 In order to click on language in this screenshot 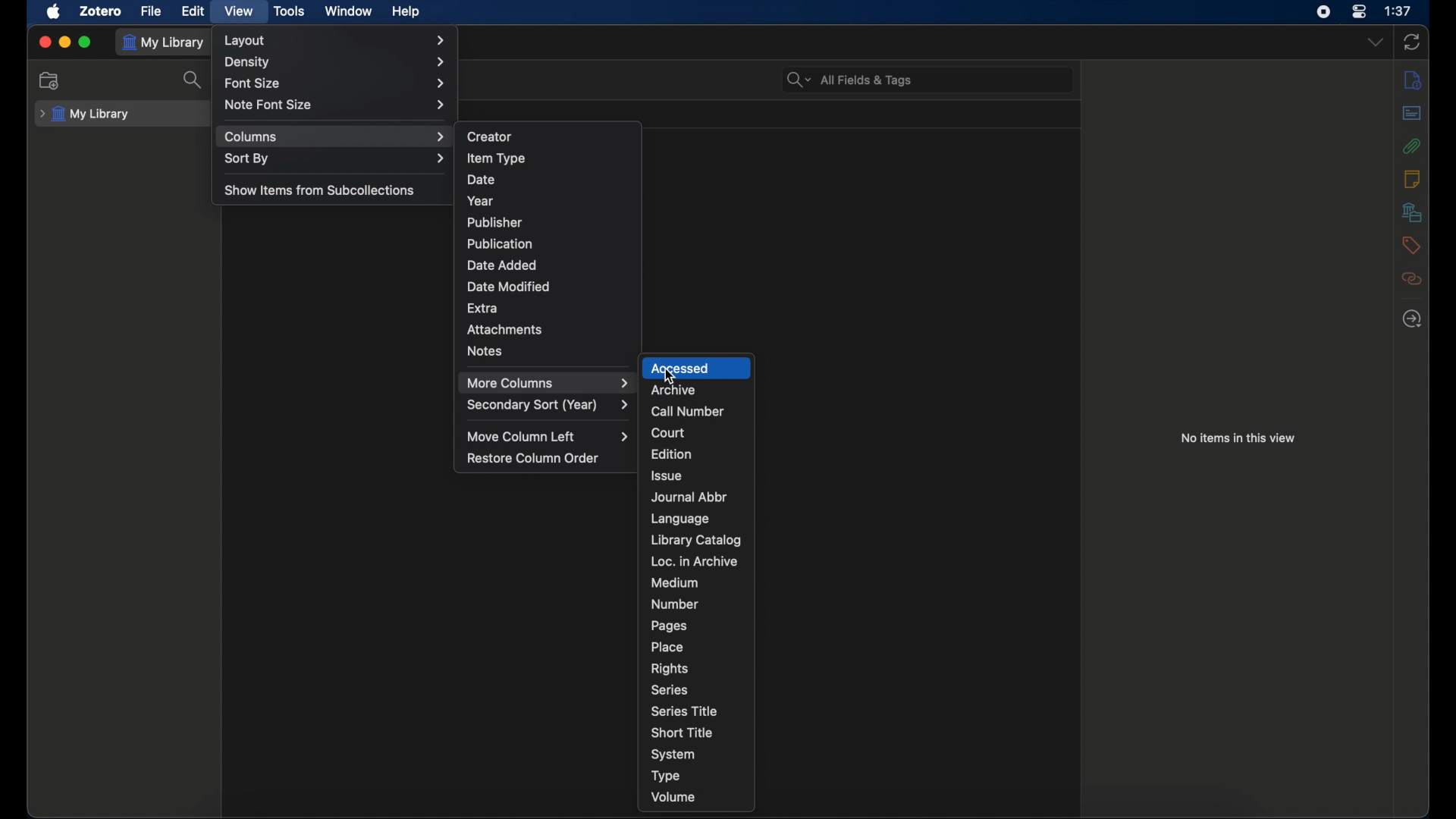, I will do `click(682, 519)`.